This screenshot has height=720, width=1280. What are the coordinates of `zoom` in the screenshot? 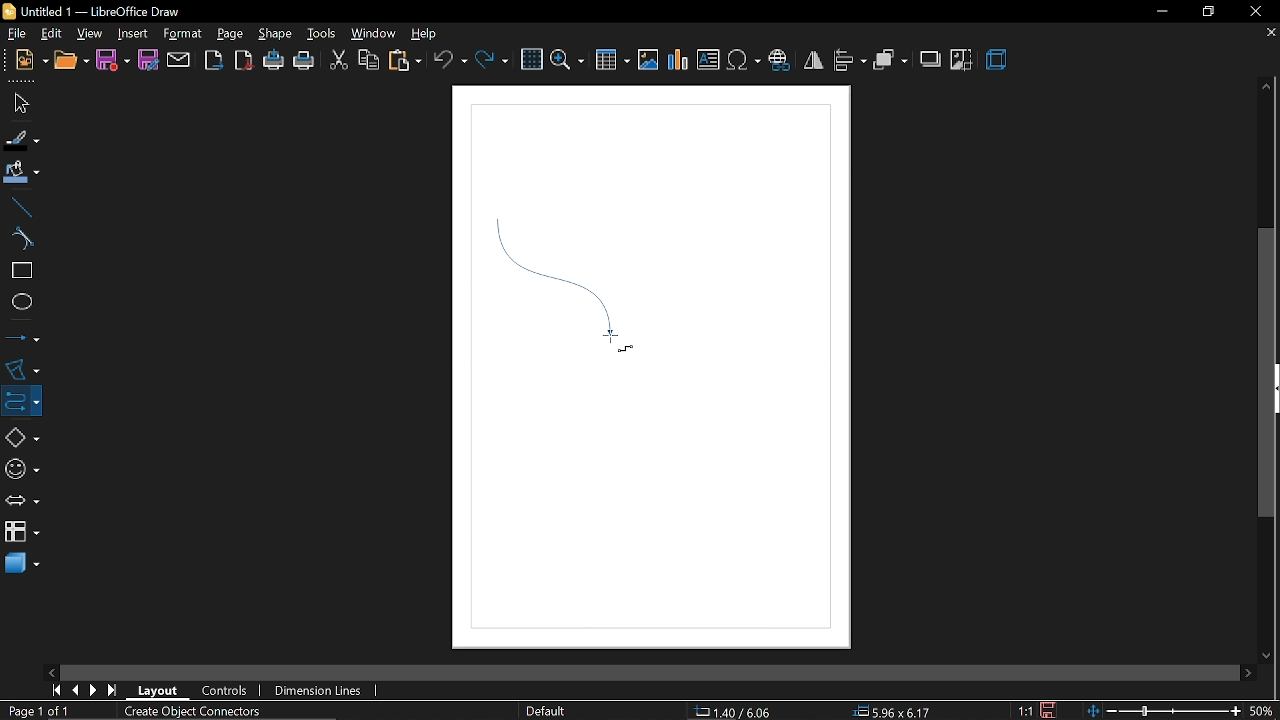 It's located at (567, 60).